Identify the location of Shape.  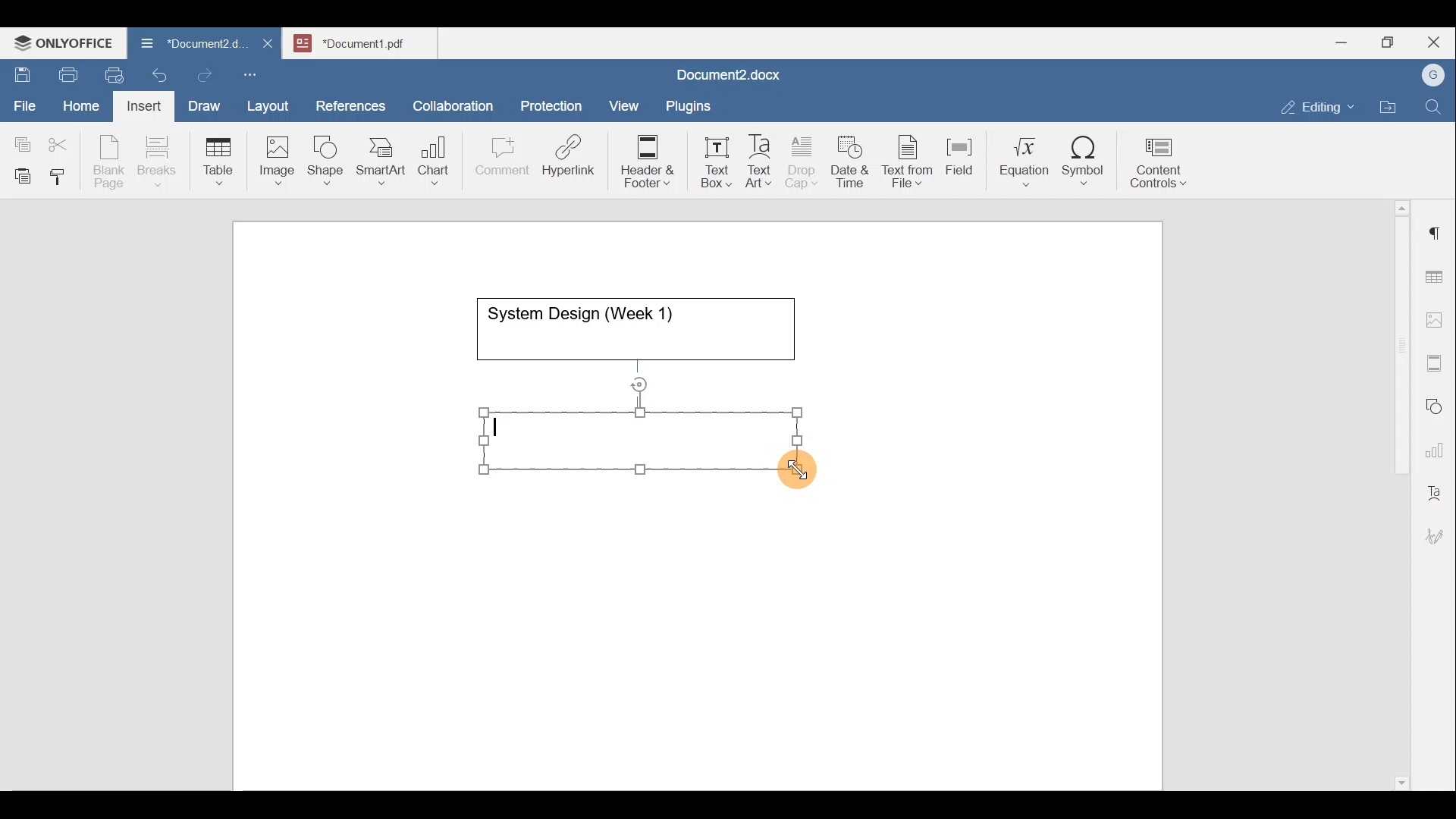
(327, 153).